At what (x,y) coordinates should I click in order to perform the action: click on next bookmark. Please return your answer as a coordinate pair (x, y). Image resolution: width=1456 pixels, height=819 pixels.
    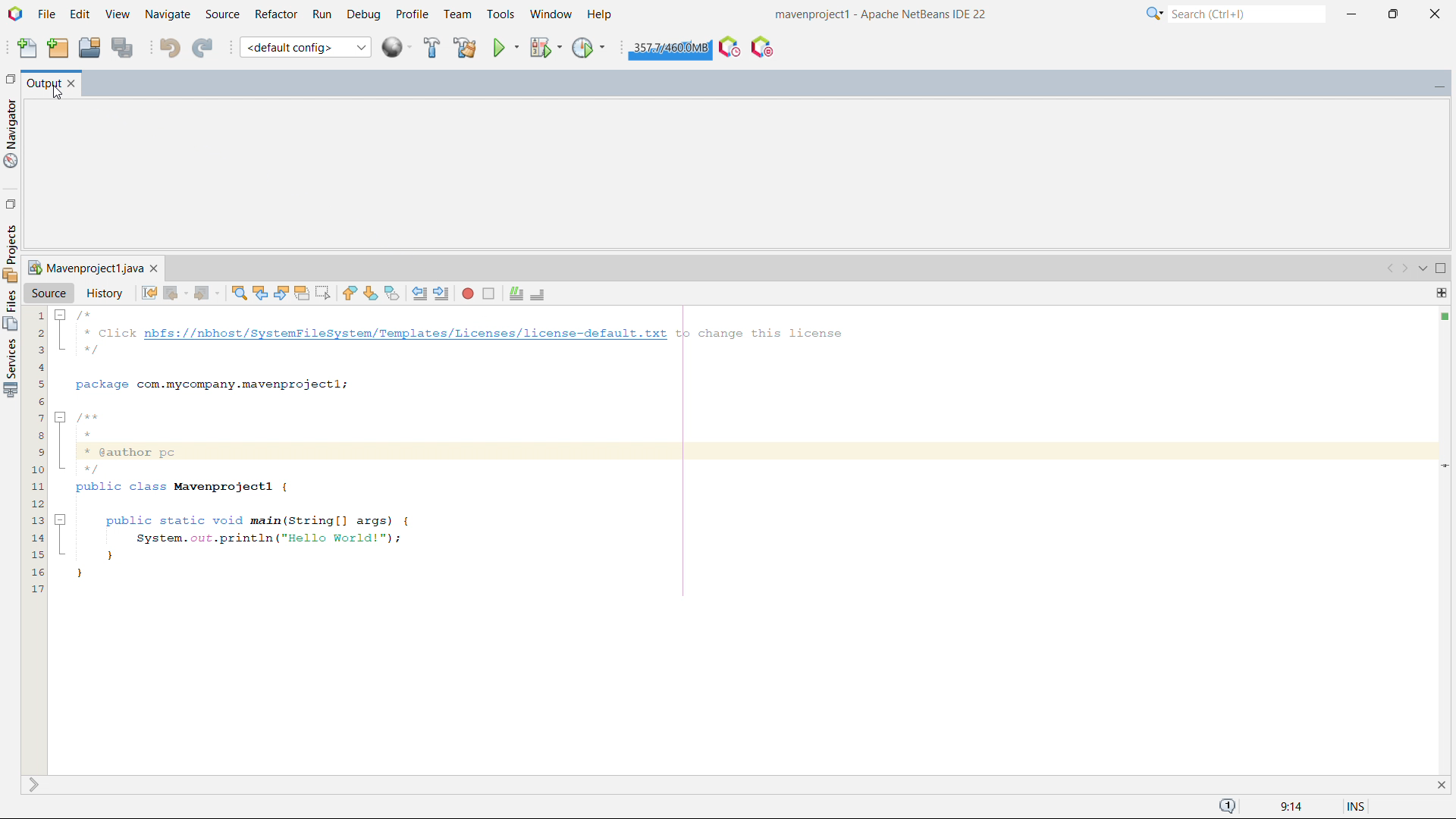
    Looking at the image, I should click on (371, 293).